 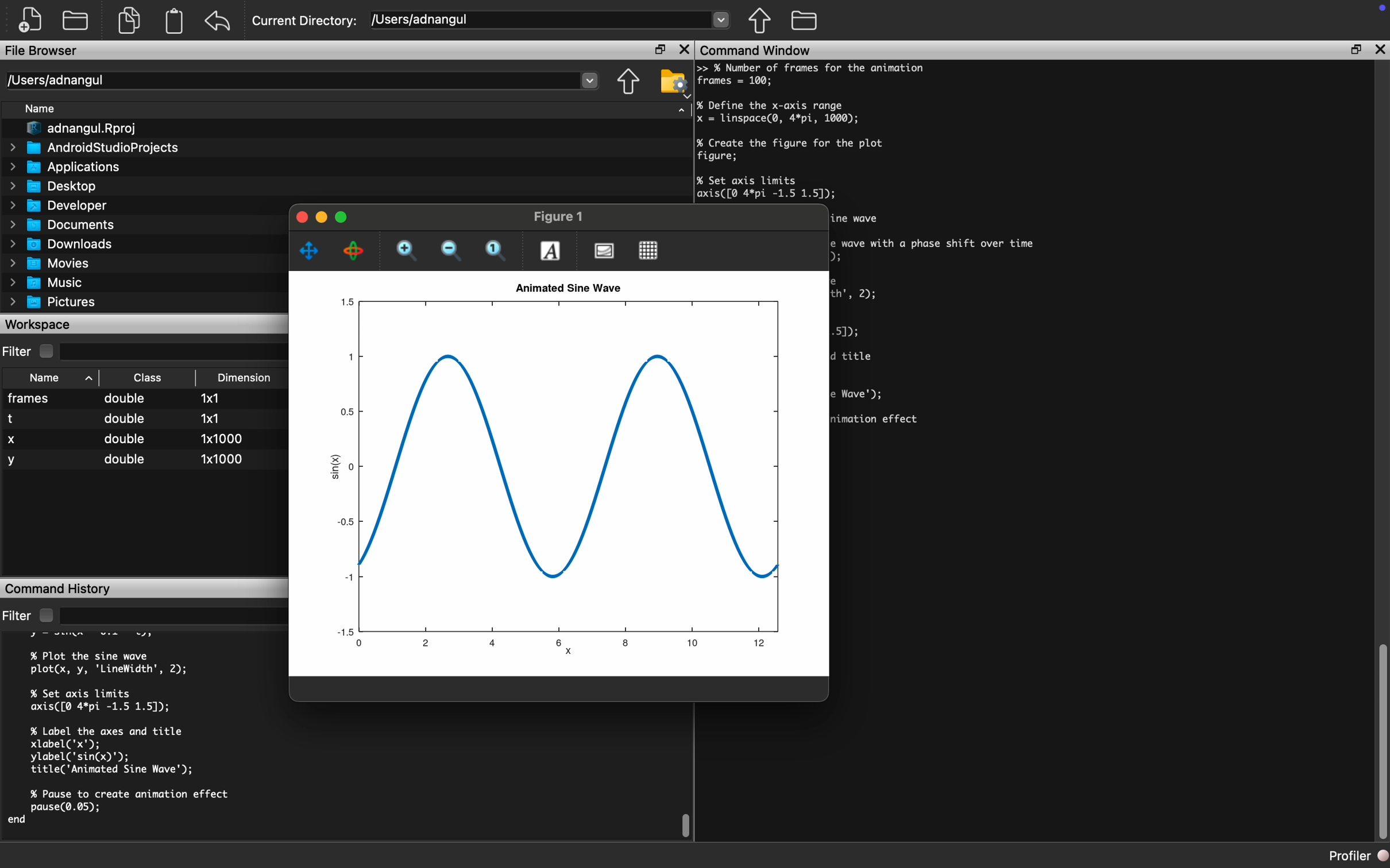 What do you see at coordinates (1360, 856) in the screenshot?
I see `Profiler` at bounding box center [1360, 856].